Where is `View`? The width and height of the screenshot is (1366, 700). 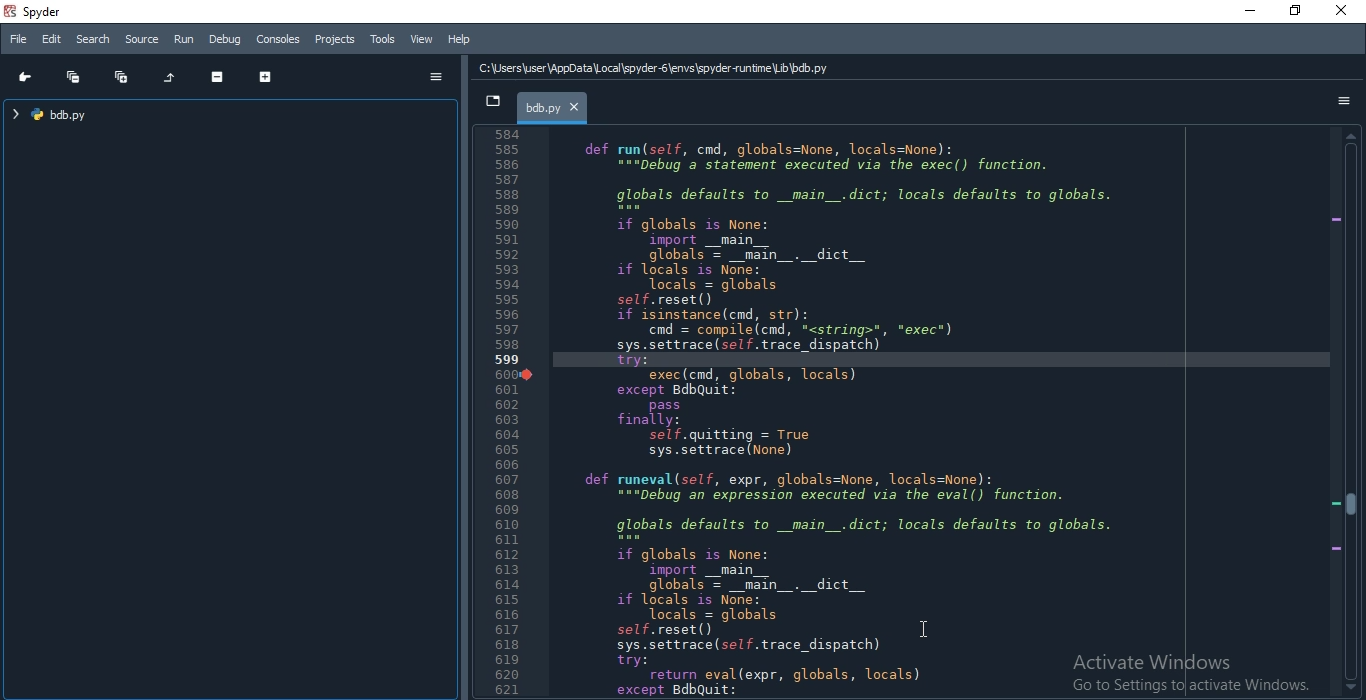 View is located at coordinates (420, 40).